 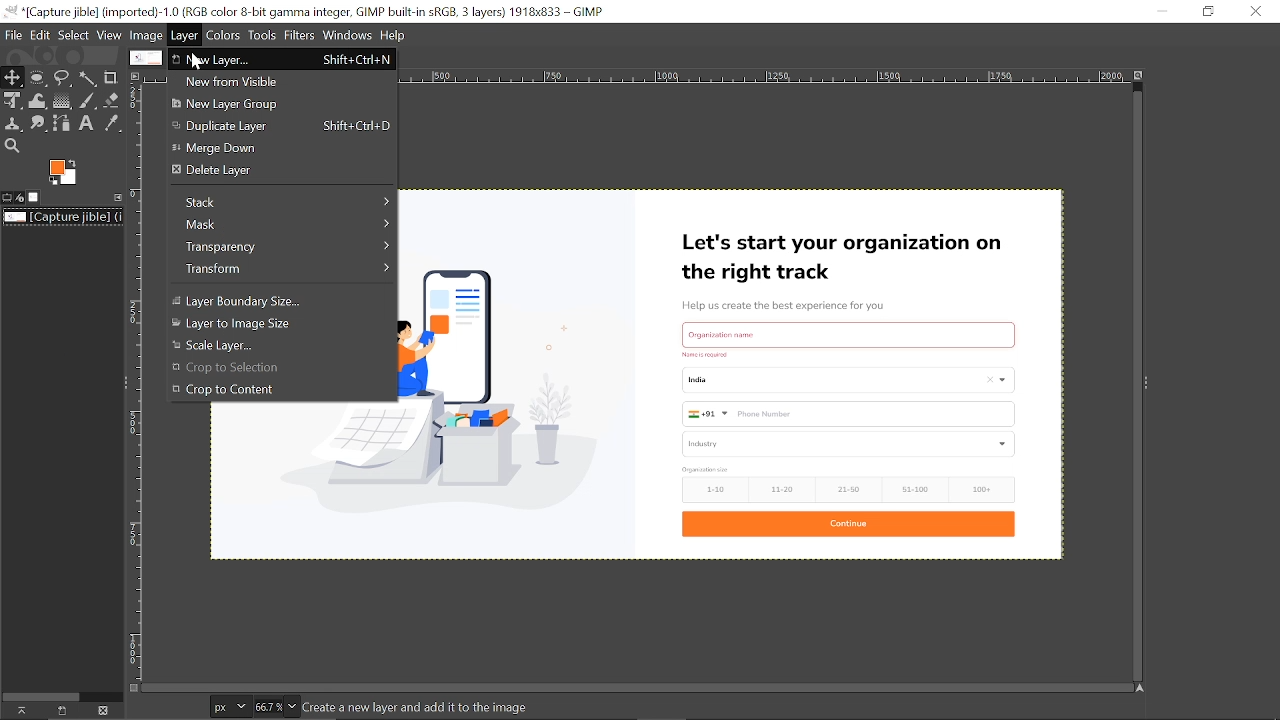 I want to click on Zoom options, so click(x=291, y=706).